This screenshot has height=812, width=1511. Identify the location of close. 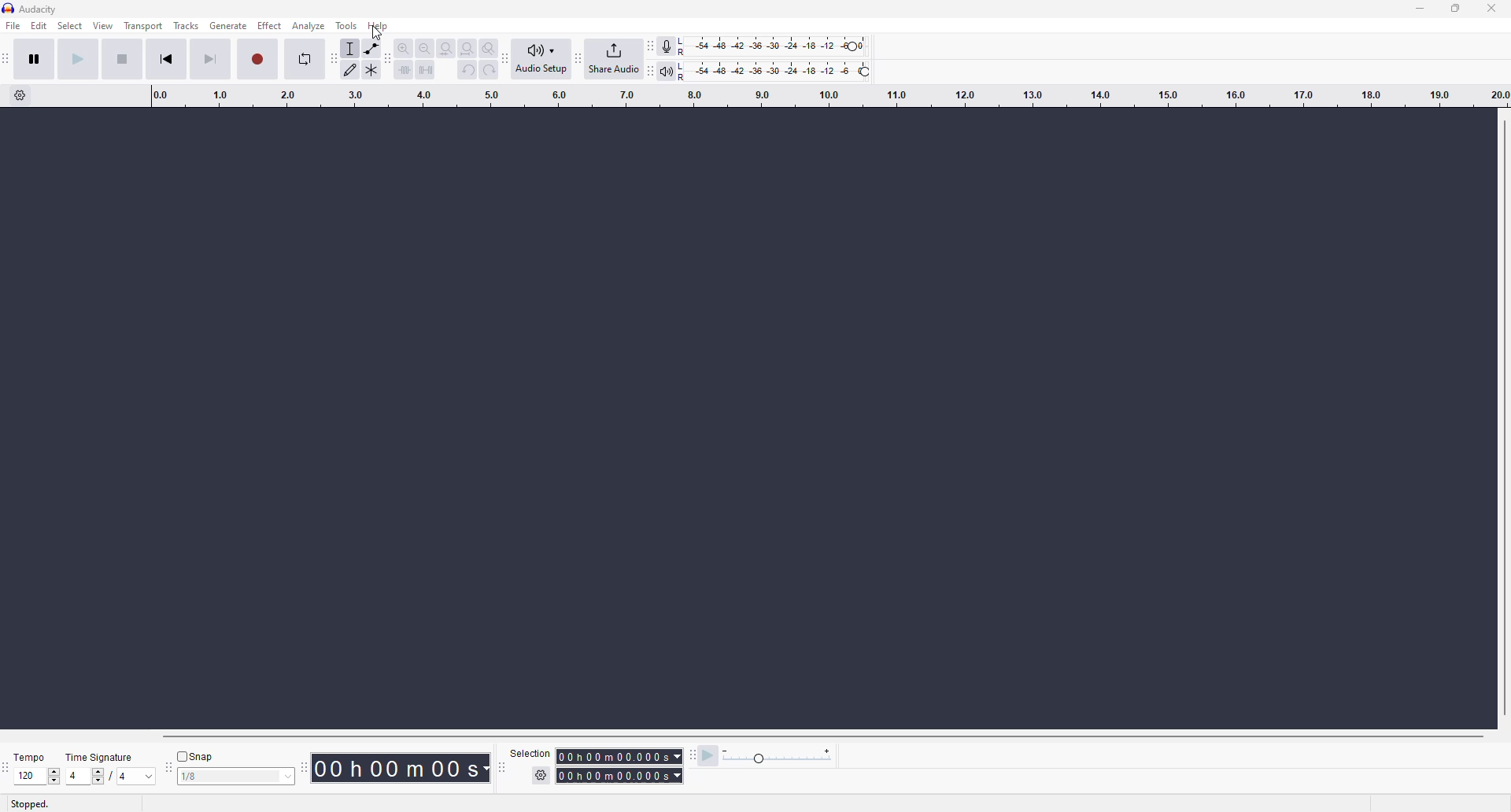
(1494, 8).